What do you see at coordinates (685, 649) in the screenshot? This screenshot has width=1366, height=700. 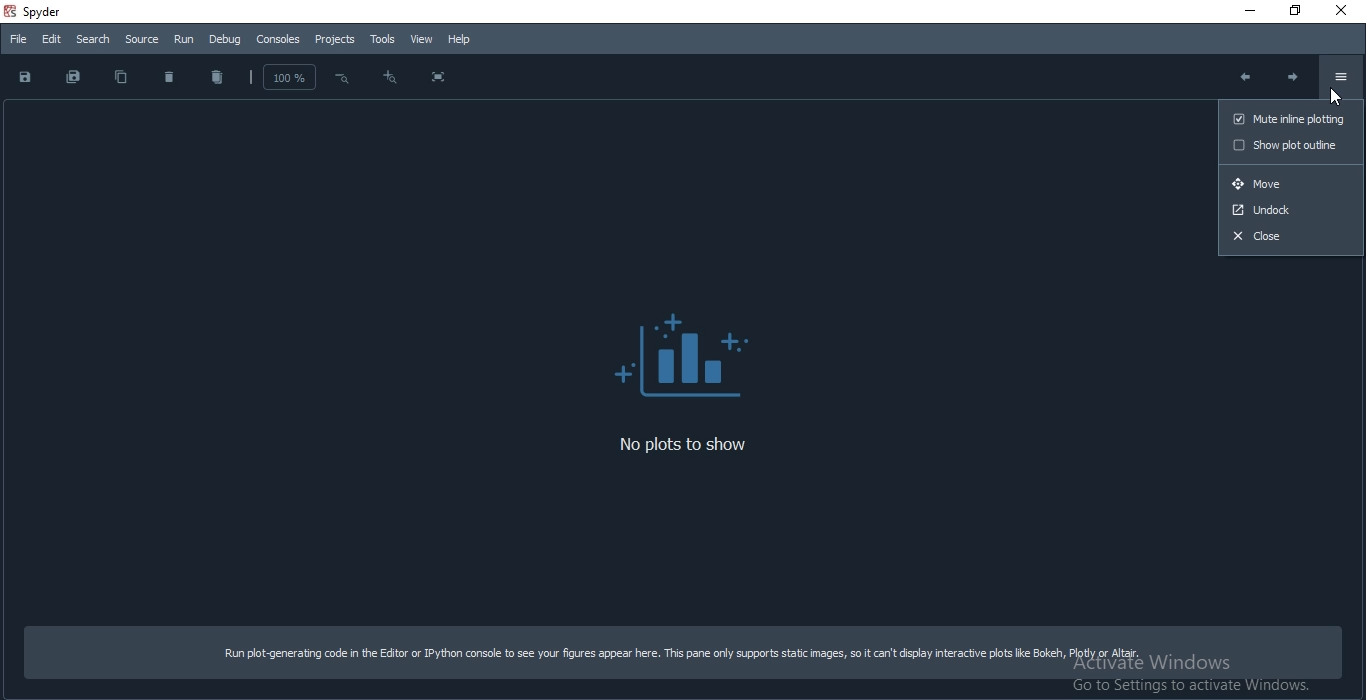 I see `Run plot-generating code in the Editor or IPvihon consale to see vour fiares anoear here. This pane arly Suncor ts static inanes. 0 it can't dianiay interactive clots lke Bokeh Plotly or Altar.` at bounding box center [685, 649].